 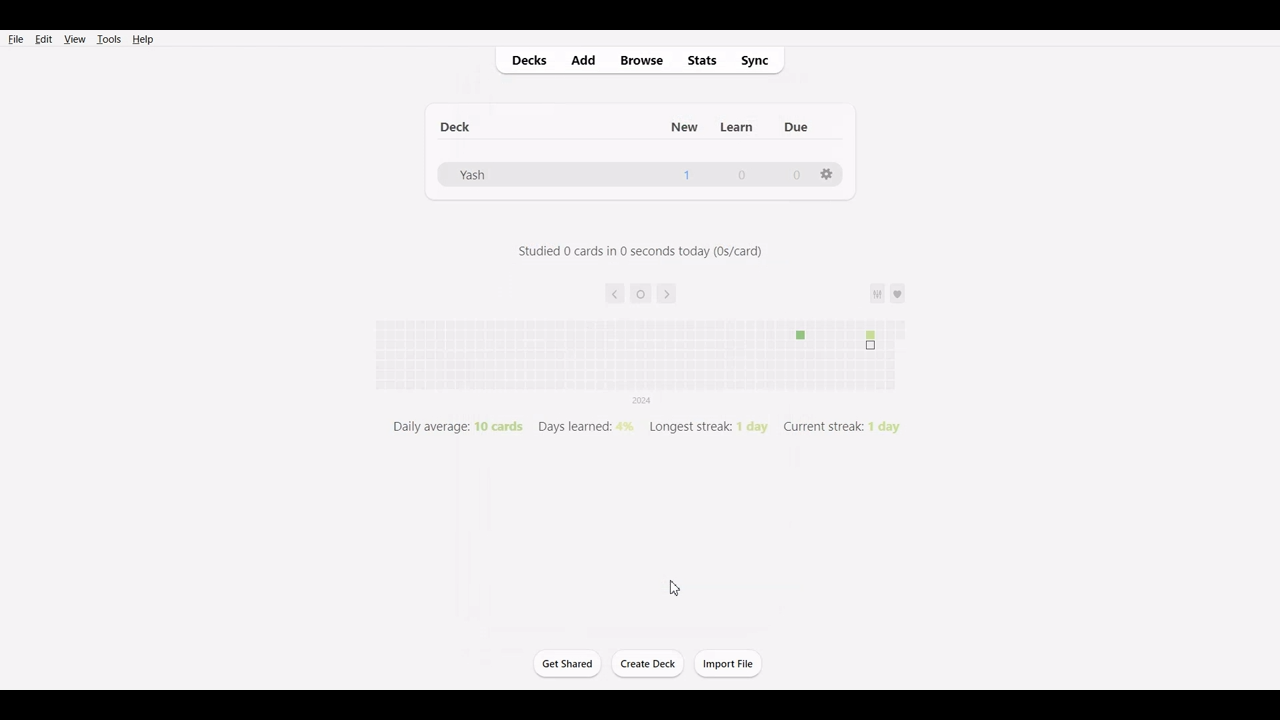 I want to click on Browse, so click(x=641, y=59).